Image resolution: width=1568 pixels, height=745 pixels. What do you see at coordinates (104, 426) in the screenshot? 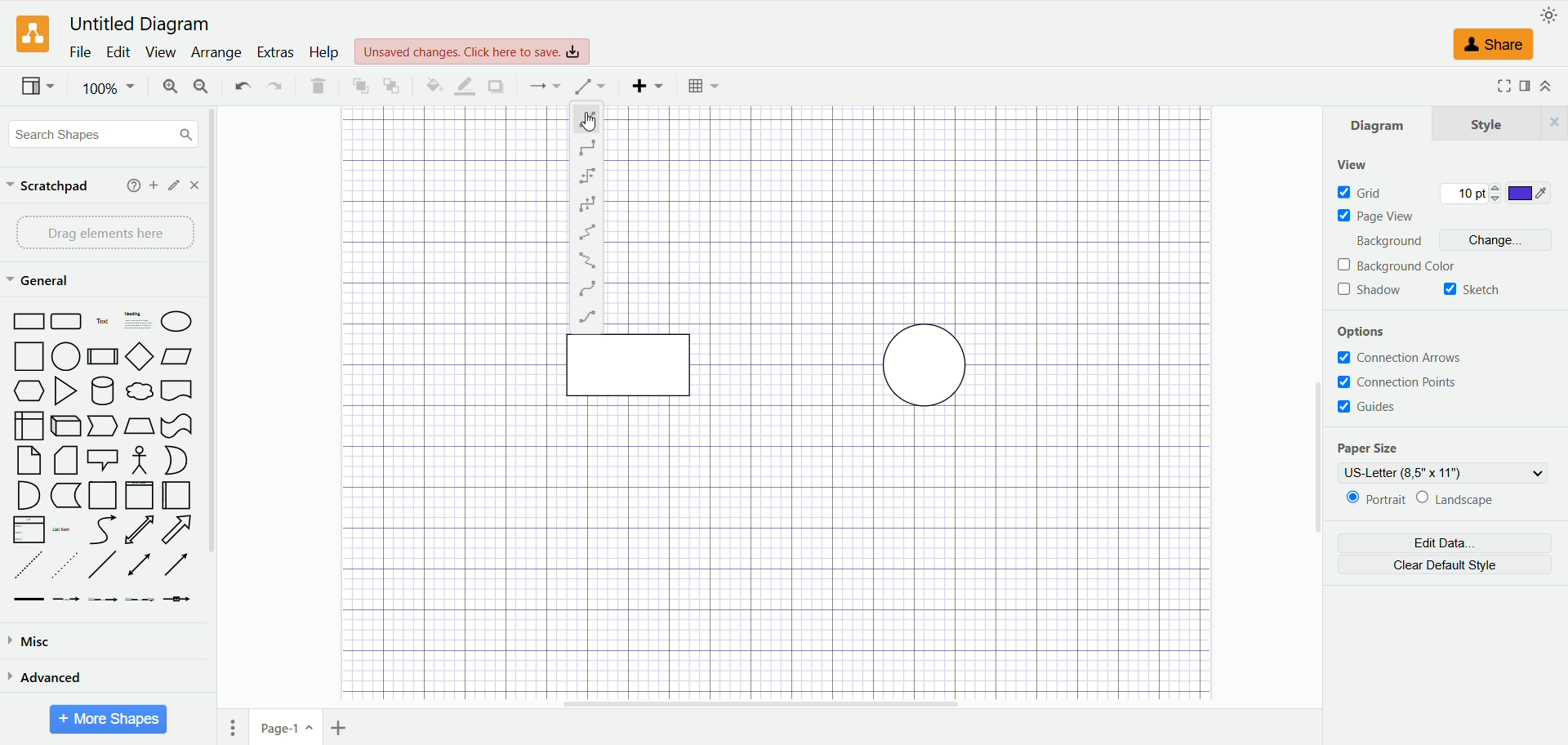
I see `Pointer` at bounding box center [104, 426].